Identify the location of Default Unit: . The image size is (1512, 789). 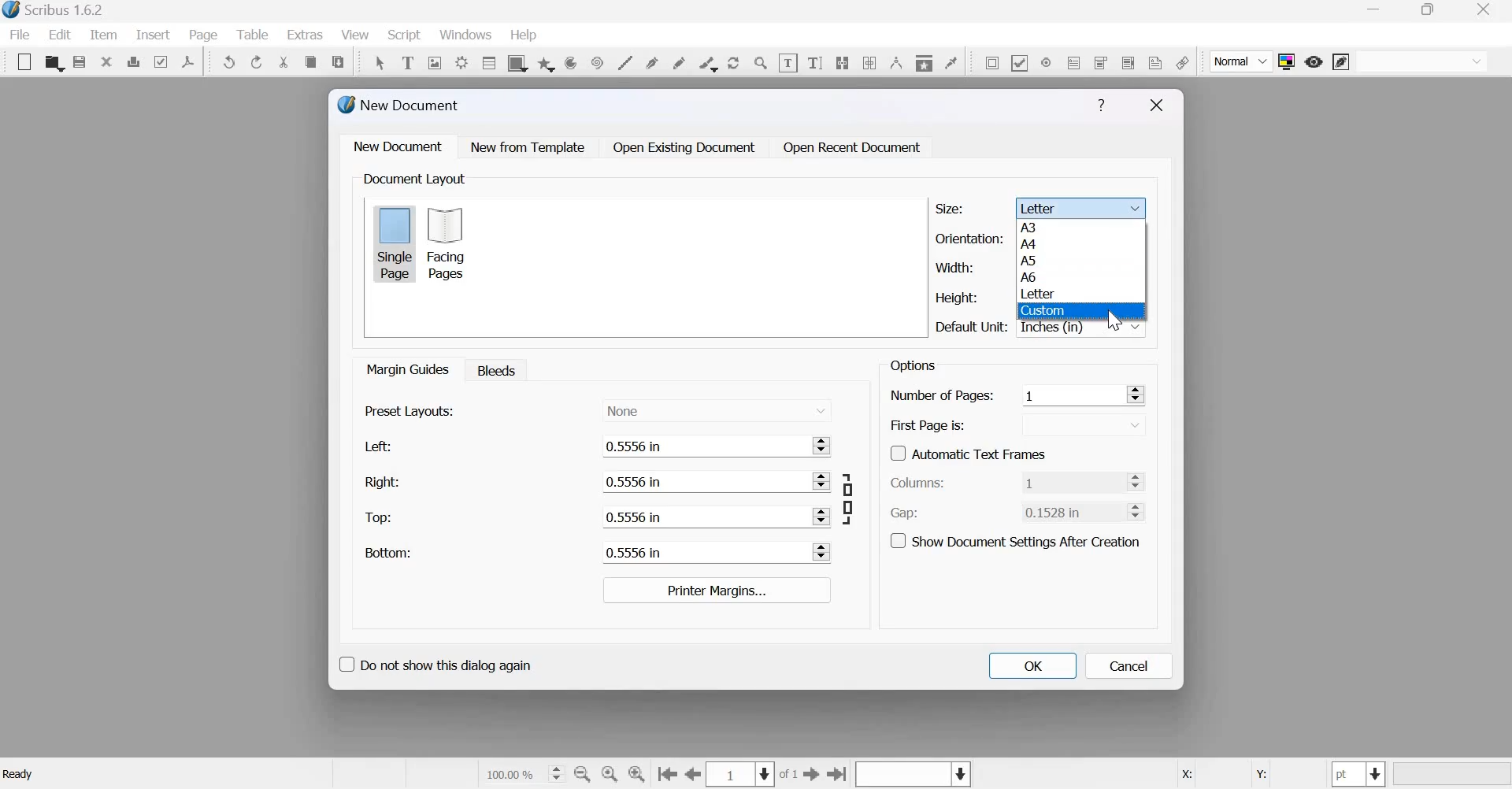
(972, 328).